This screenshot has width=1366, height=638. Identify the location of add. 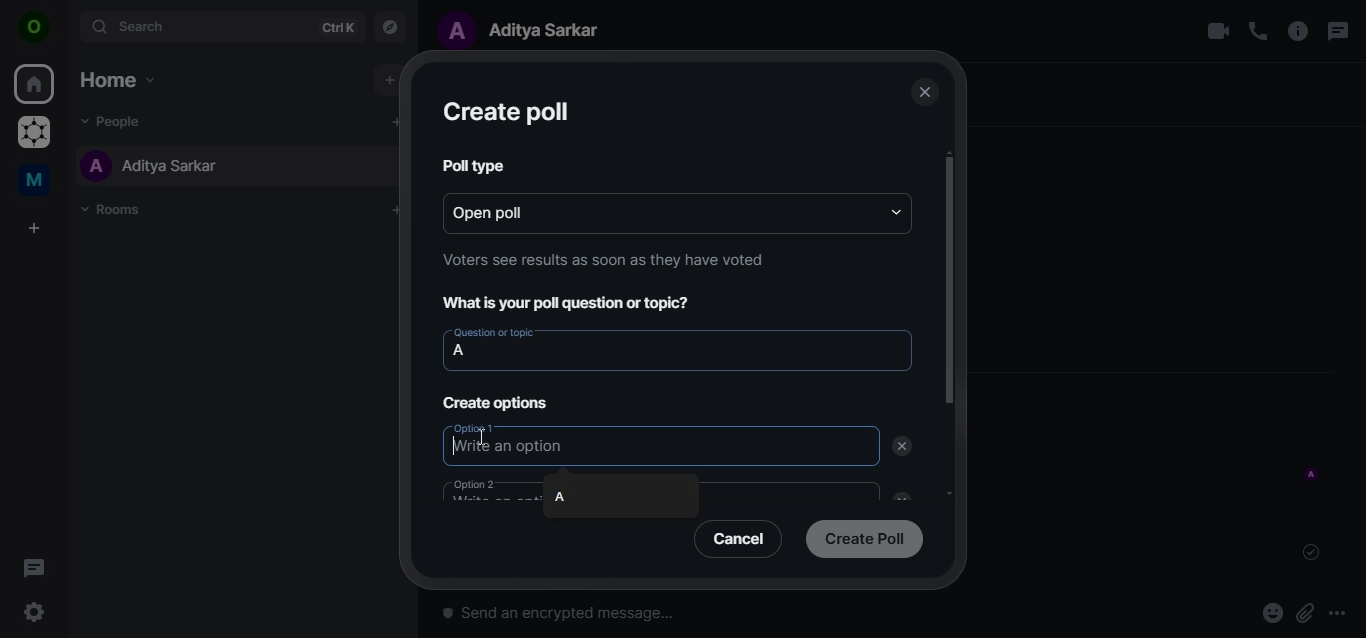
(388, 80).